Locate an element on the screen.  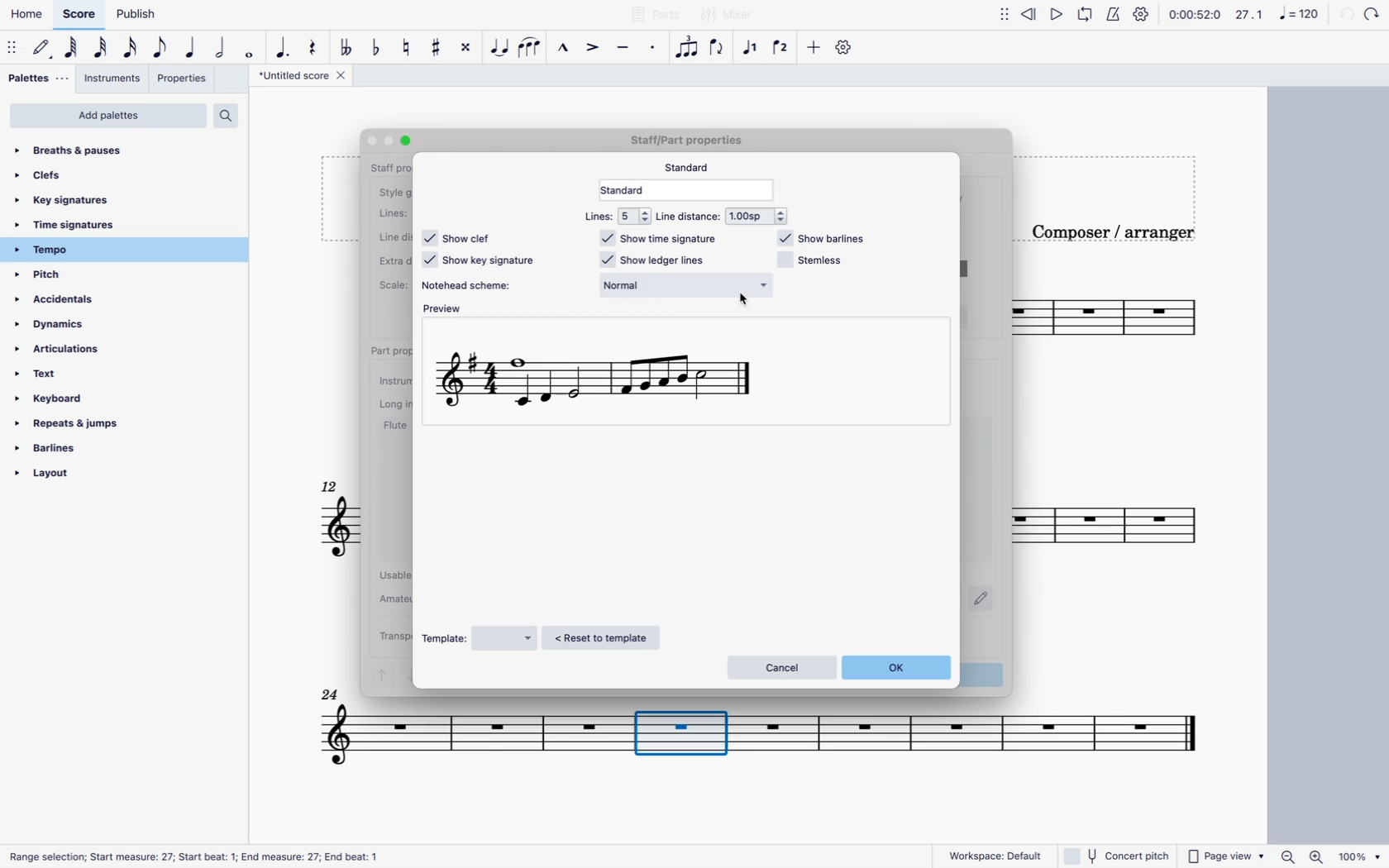
palettes is located at coordinates (36, 78).